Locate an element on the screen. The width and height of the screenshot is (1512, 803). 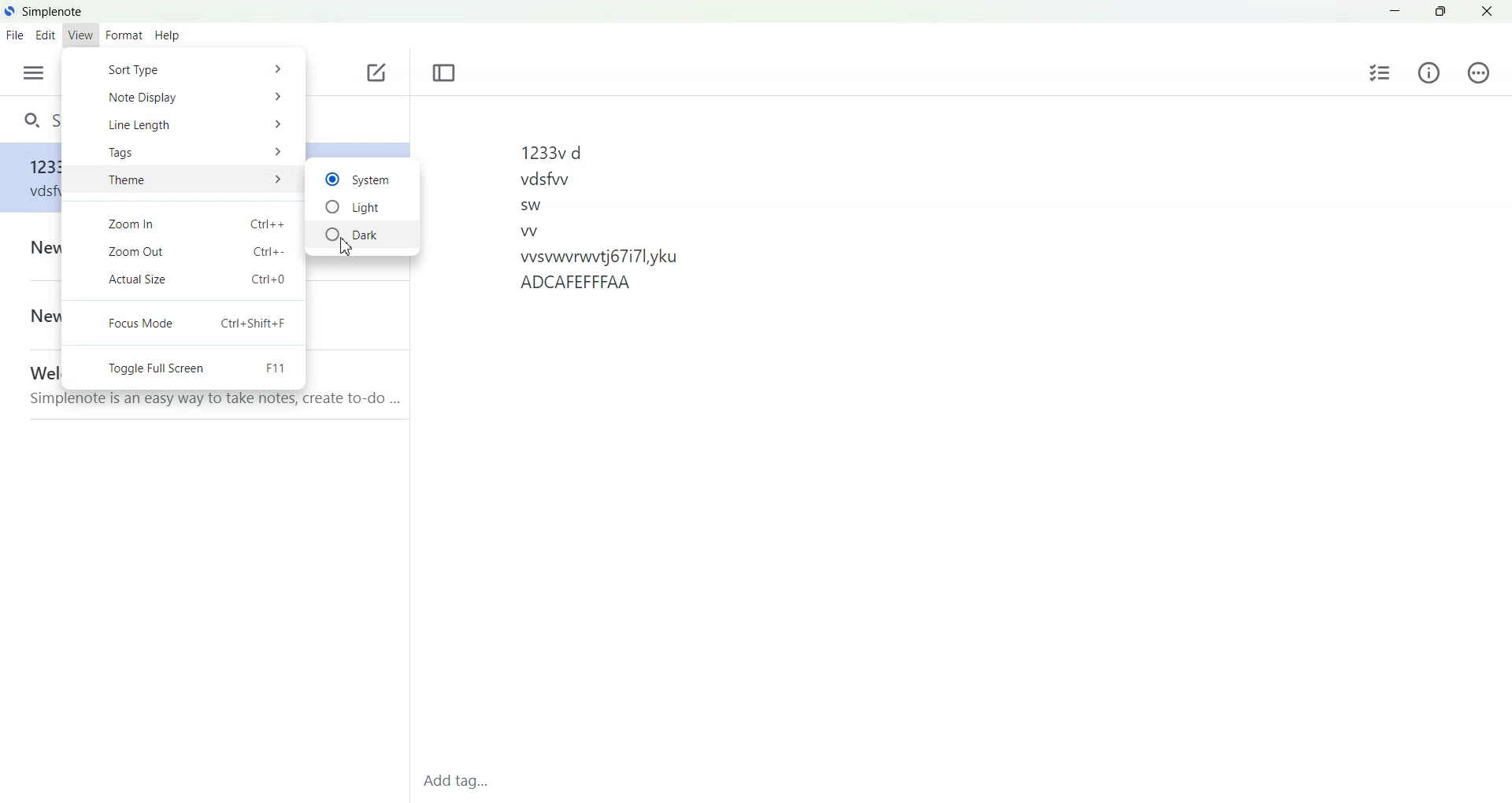
open sidebar is located at coordinates (34, 72).